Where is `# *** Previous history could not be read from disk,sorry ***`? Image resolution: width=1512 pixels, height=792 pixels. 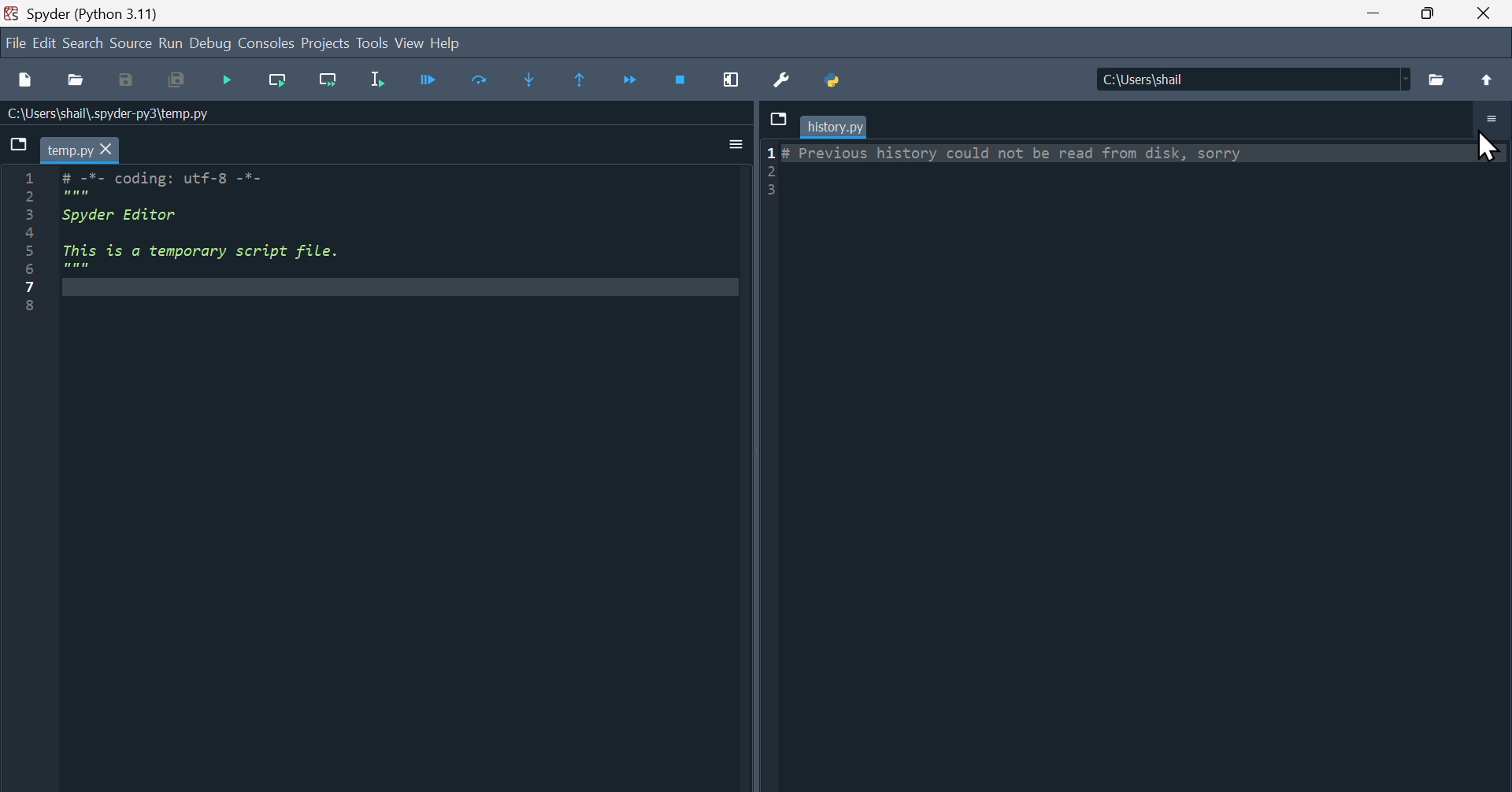 # *** Previous history could not be read from disk,sorry *** is located at coordinates (1138, 172).